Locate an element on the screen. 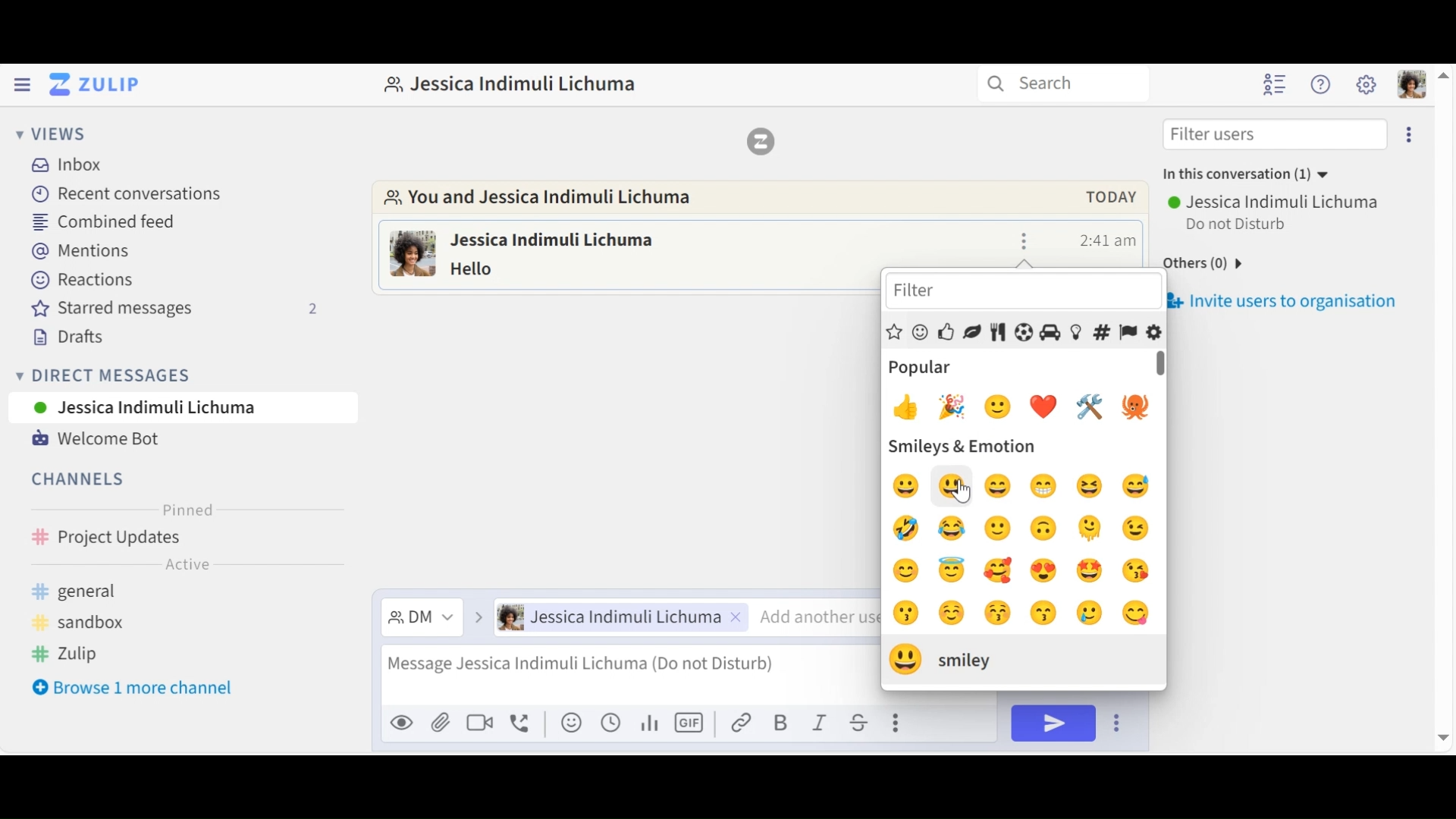  Help Menu is located at coordinates (1321, 83).